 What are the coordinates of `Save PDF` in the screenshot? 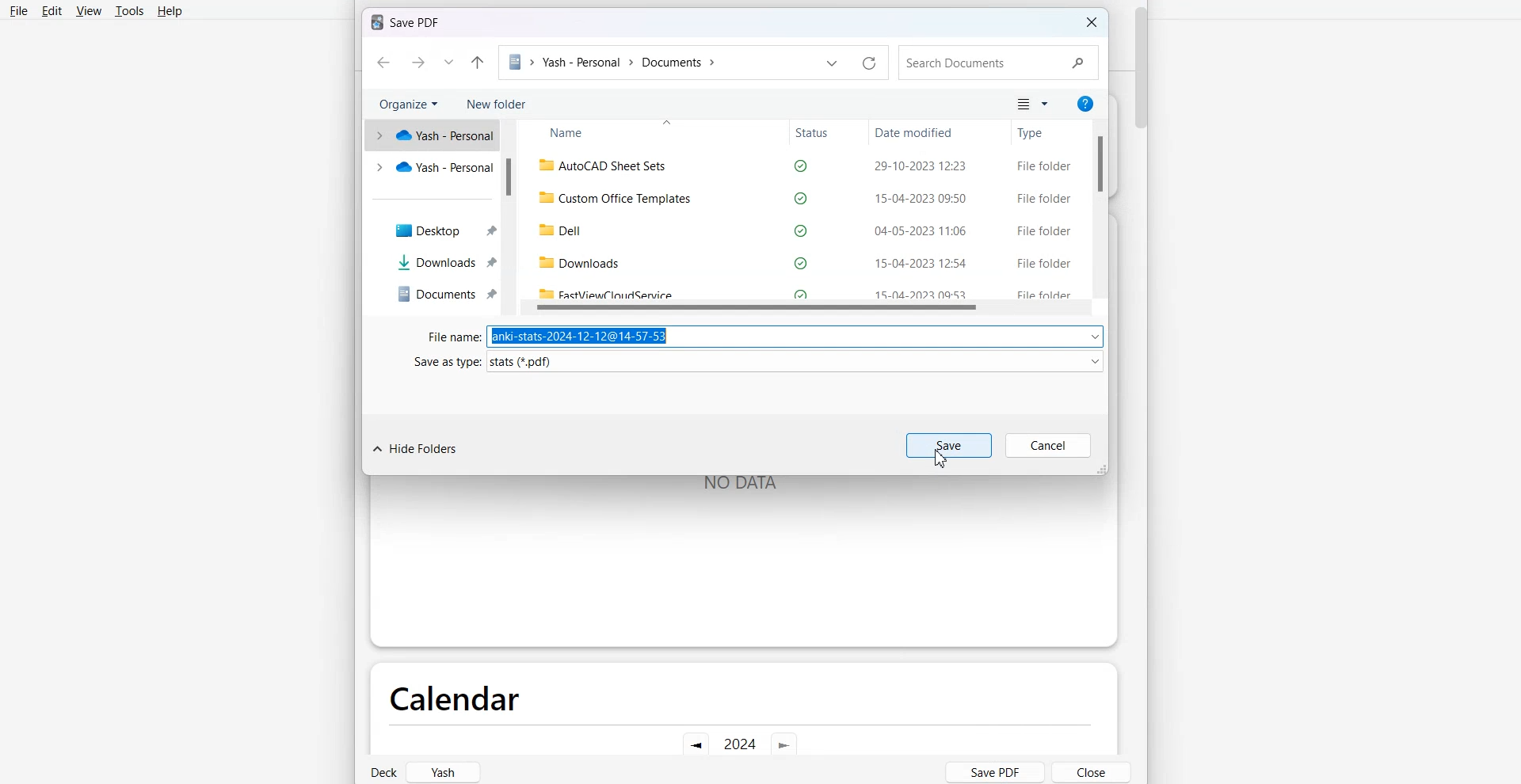 It's located at (993, 771).